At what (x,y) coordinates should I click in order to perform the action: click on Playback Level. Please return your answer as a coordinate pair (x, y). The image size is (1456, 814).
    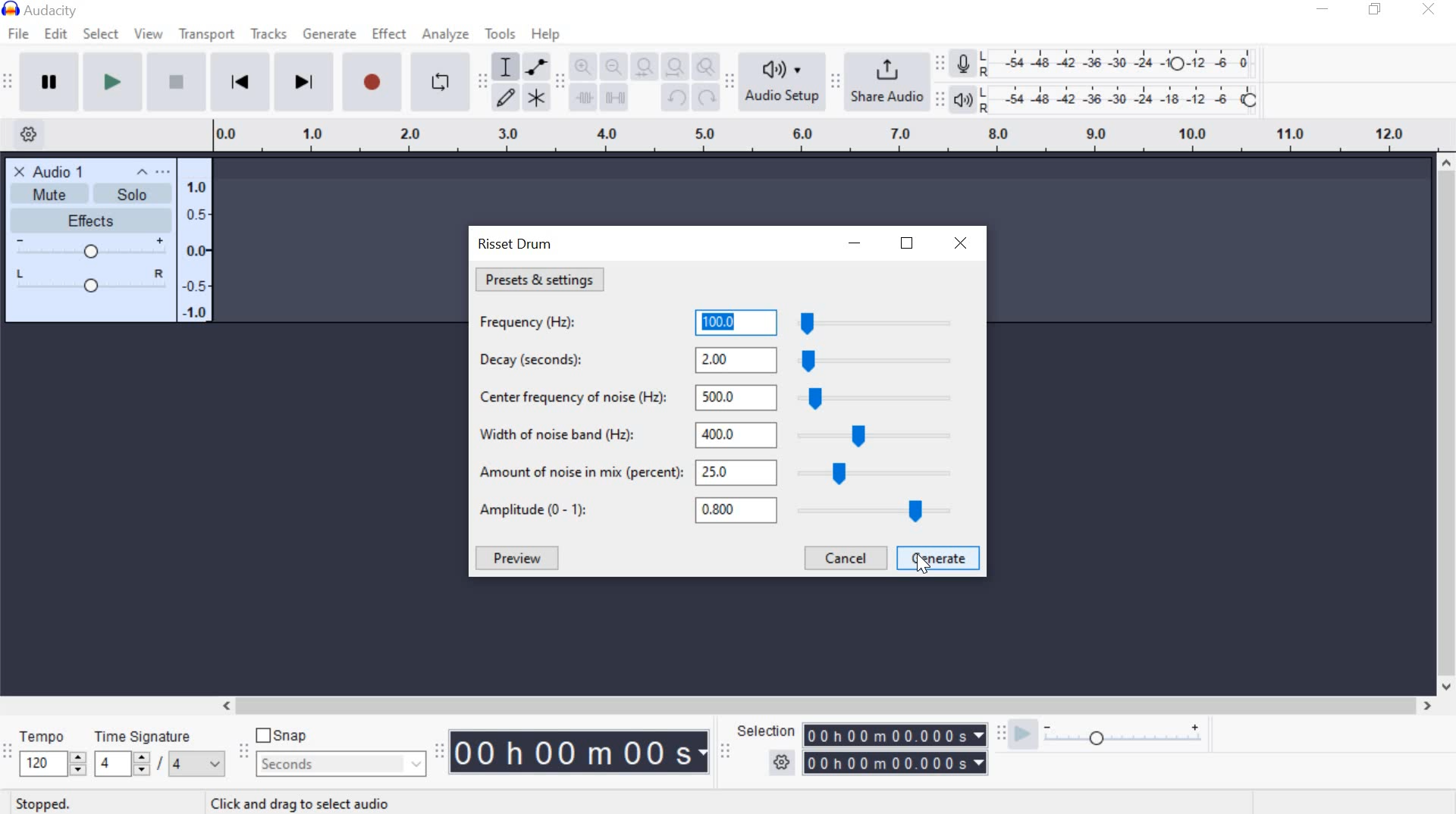
    Looking at the image, I should click on (1105, 99).